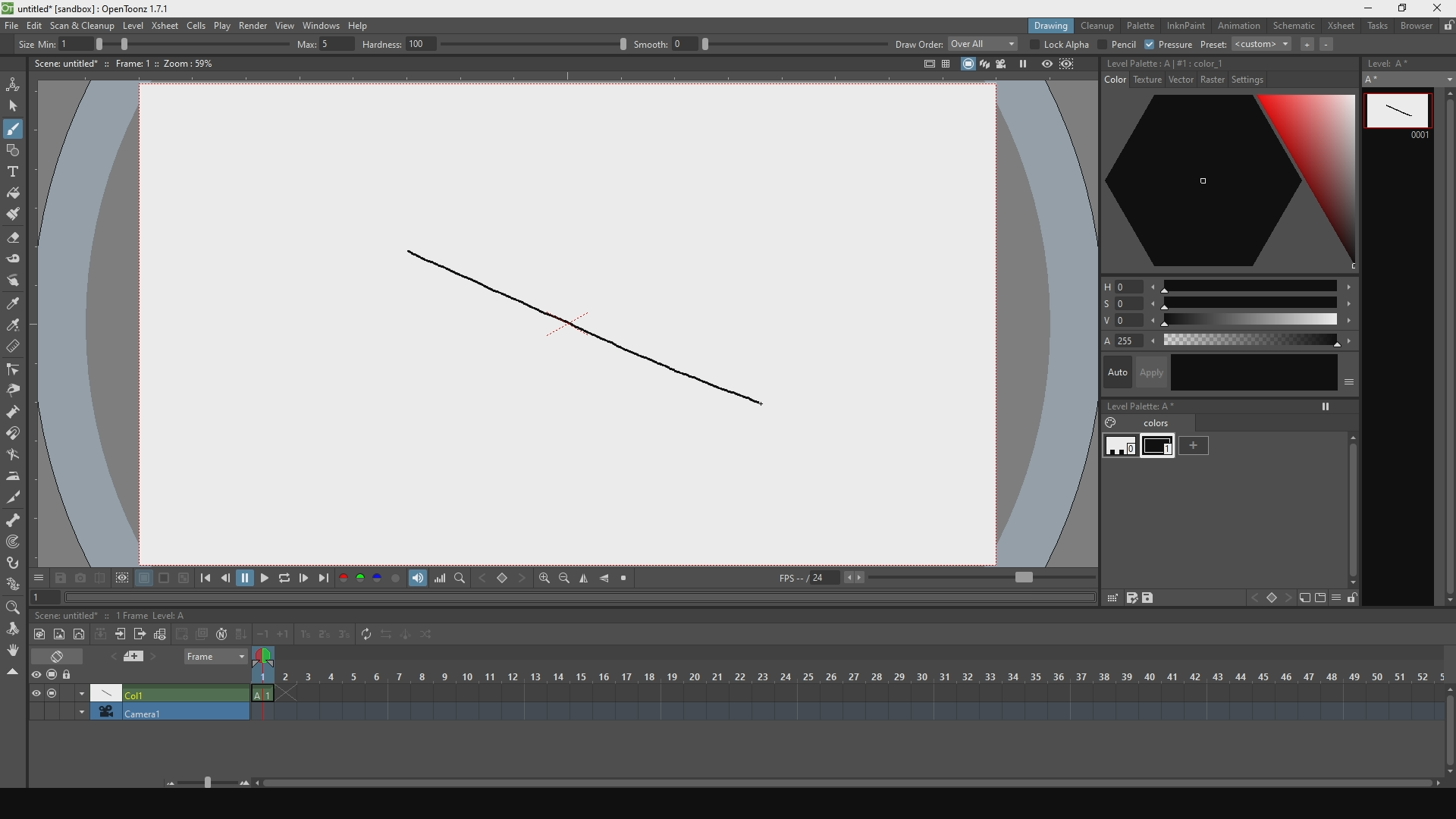  Describe the element at coordinates (14, 215) in the screenshot. I see `brush` at that location.